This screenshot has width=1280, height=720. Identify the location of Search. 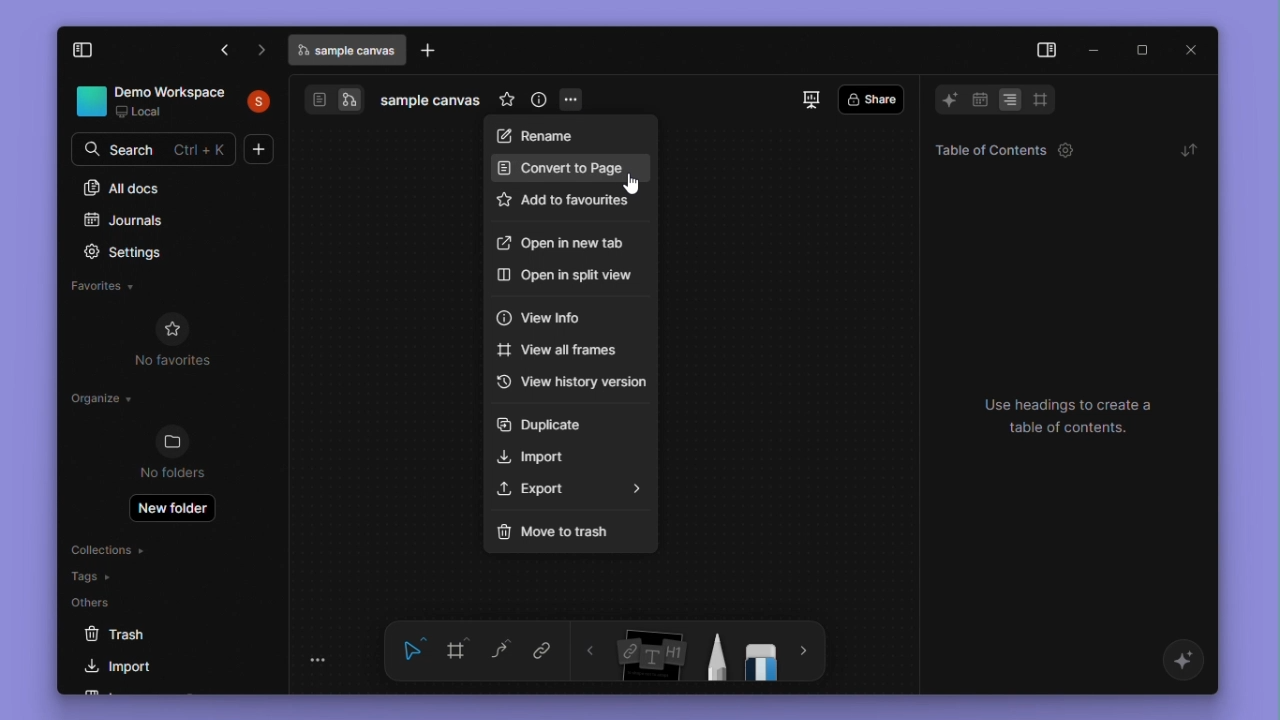
(155, 147).